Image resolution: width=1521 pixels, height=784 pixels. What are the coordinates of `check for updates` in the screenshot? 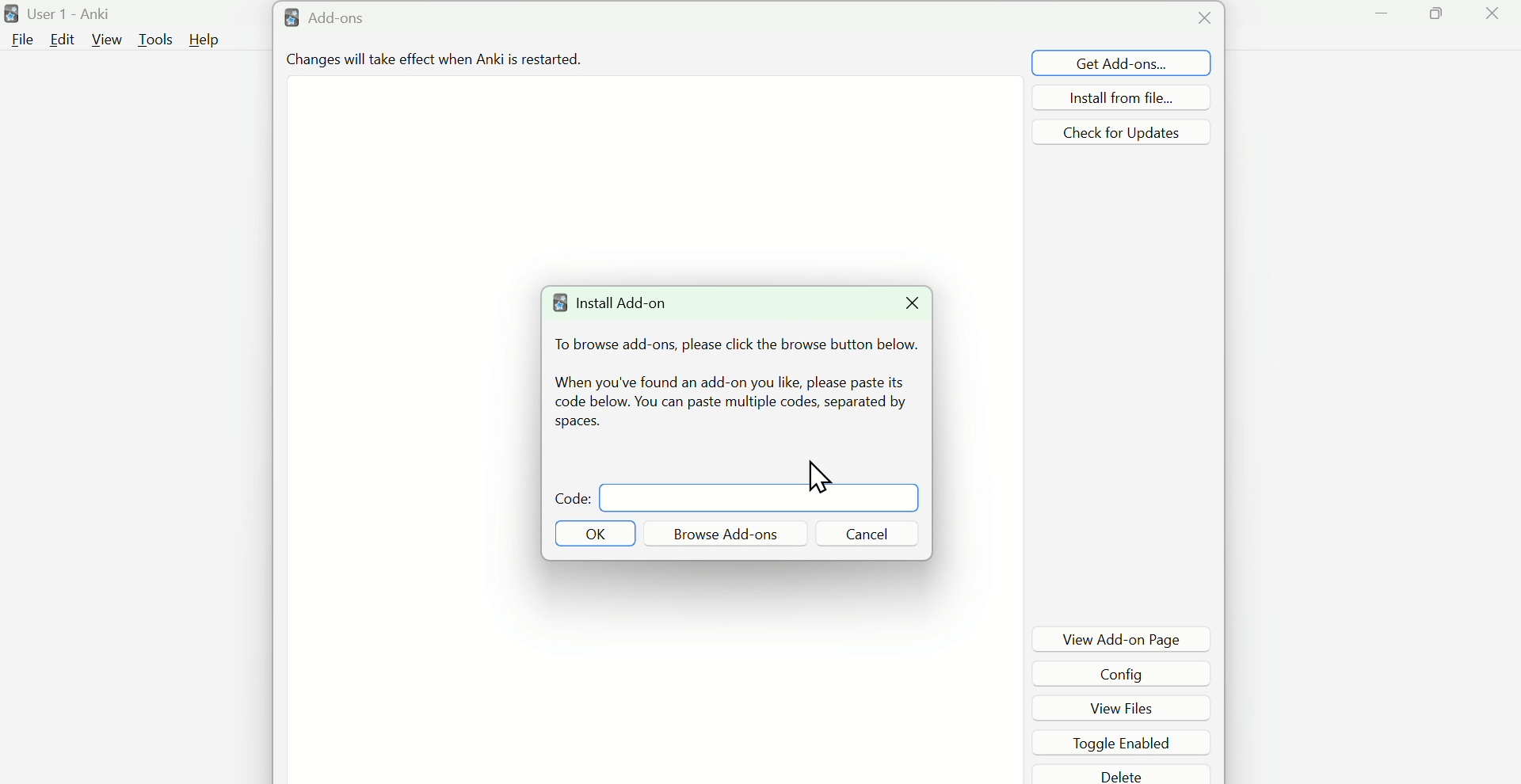 It's located at (1122, 131).